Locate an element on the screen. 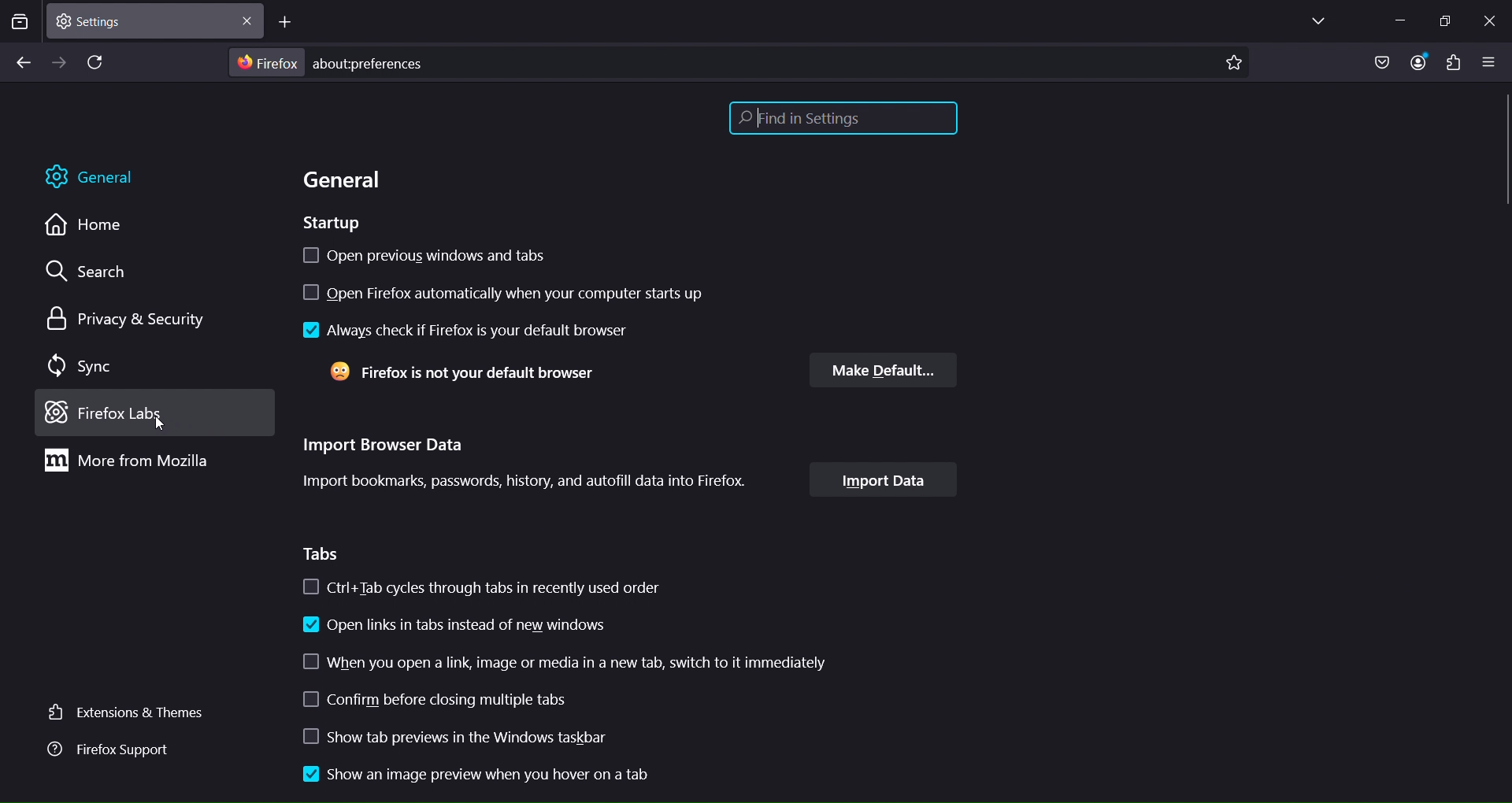  search is located at coordinates (86, 274).